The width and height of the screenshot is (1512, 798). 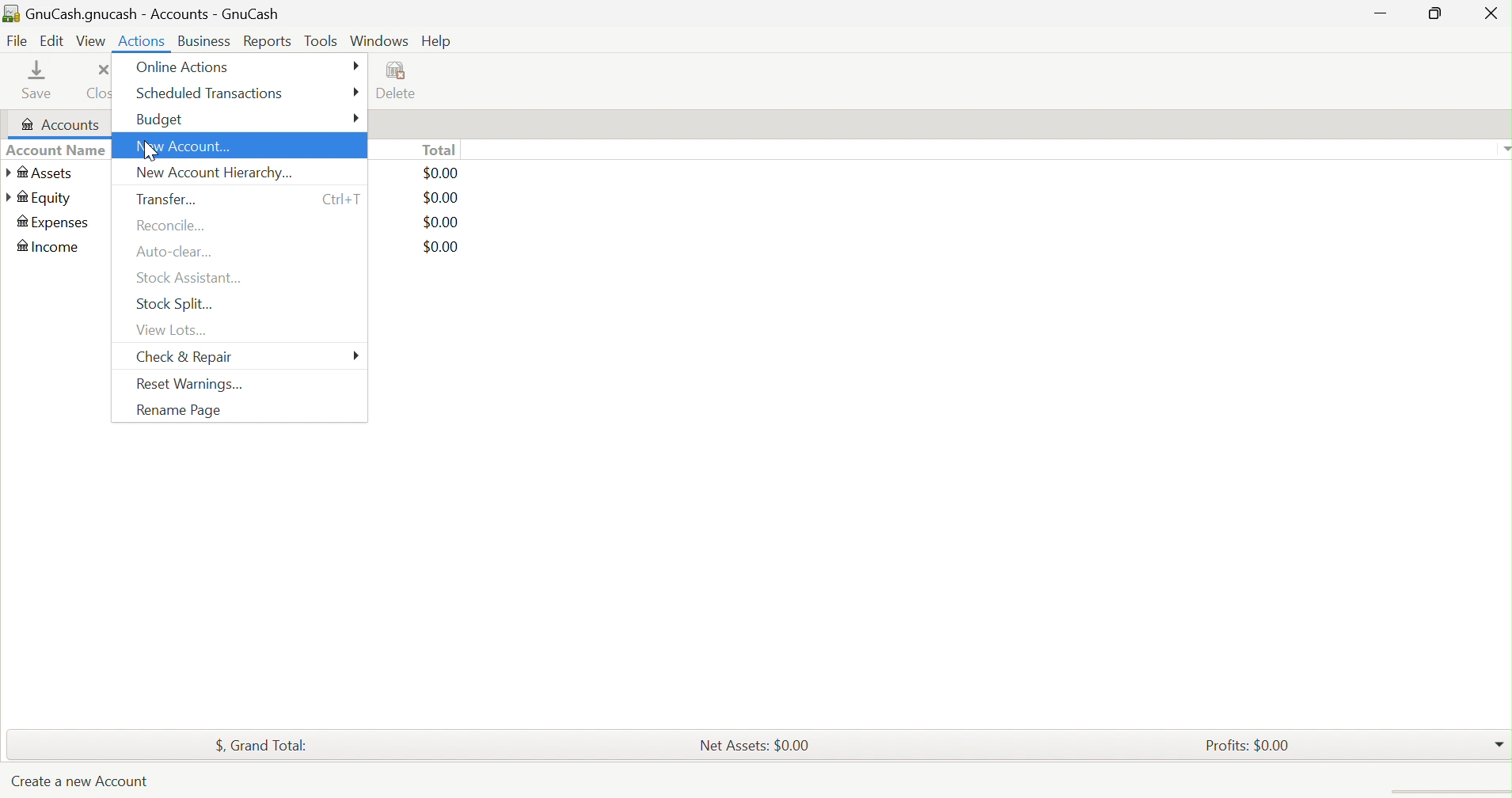 I want to click on Rename Page, so click(x=179, y=412).